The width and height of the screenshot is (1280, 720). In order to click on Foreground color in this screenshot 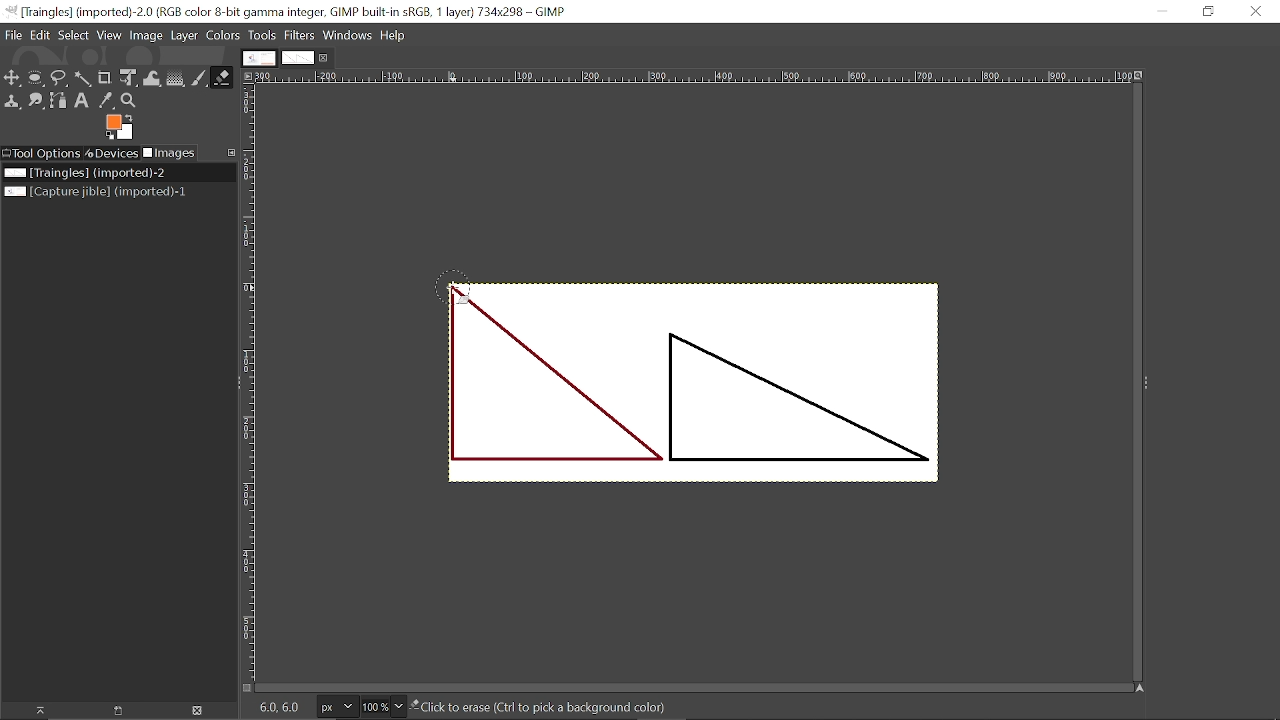, I will do `click(121, 127)`.